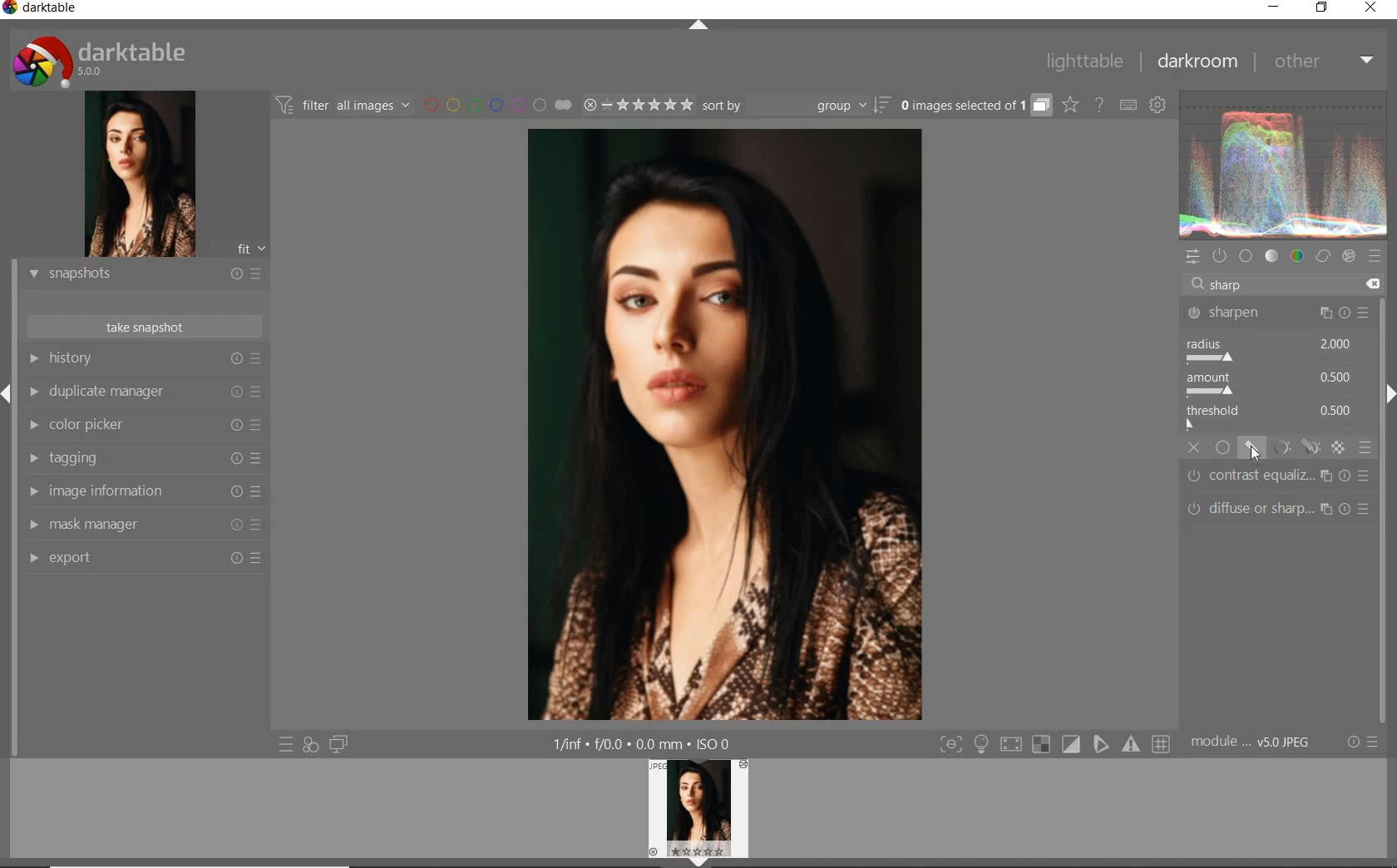 Image resolution: width=1397 pixels, height=868 pixels. Describe the element at coordinates (1349, 258) in the screenshot. I see `effect` at that location.